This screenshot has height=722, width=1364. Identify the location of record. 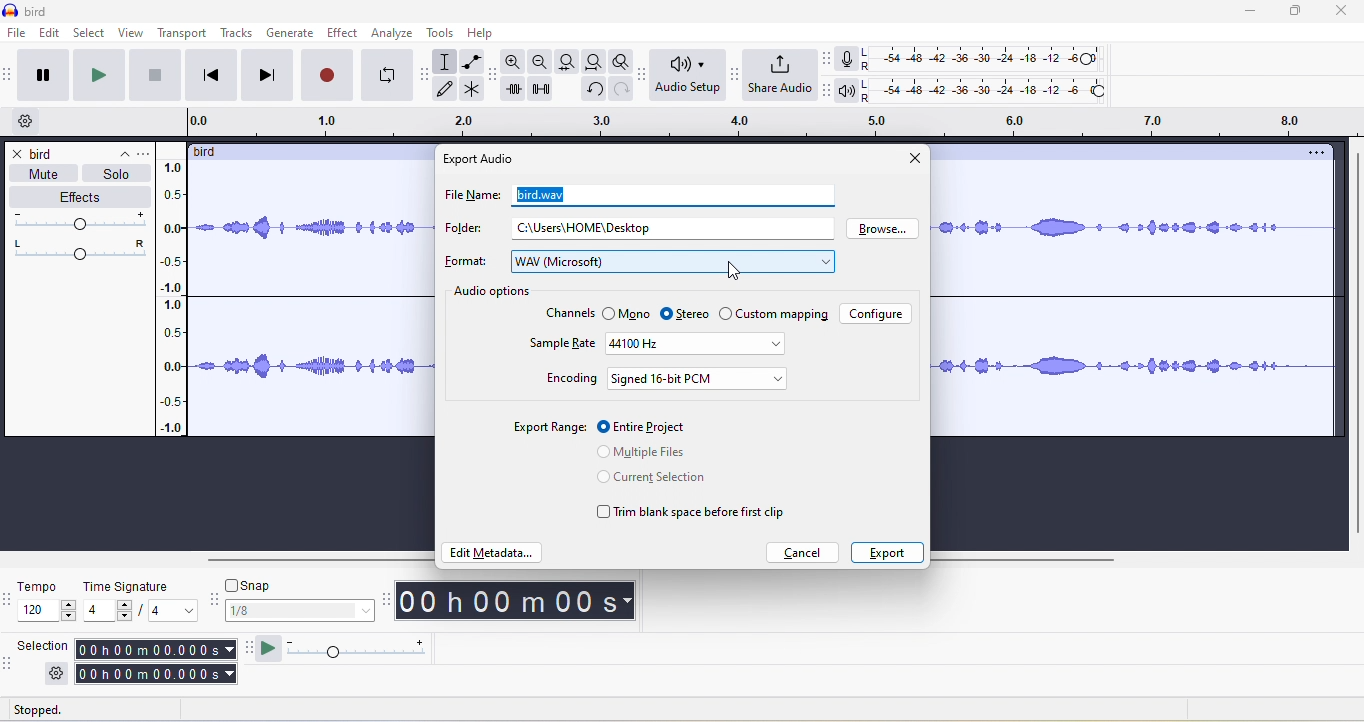
(325, 75).